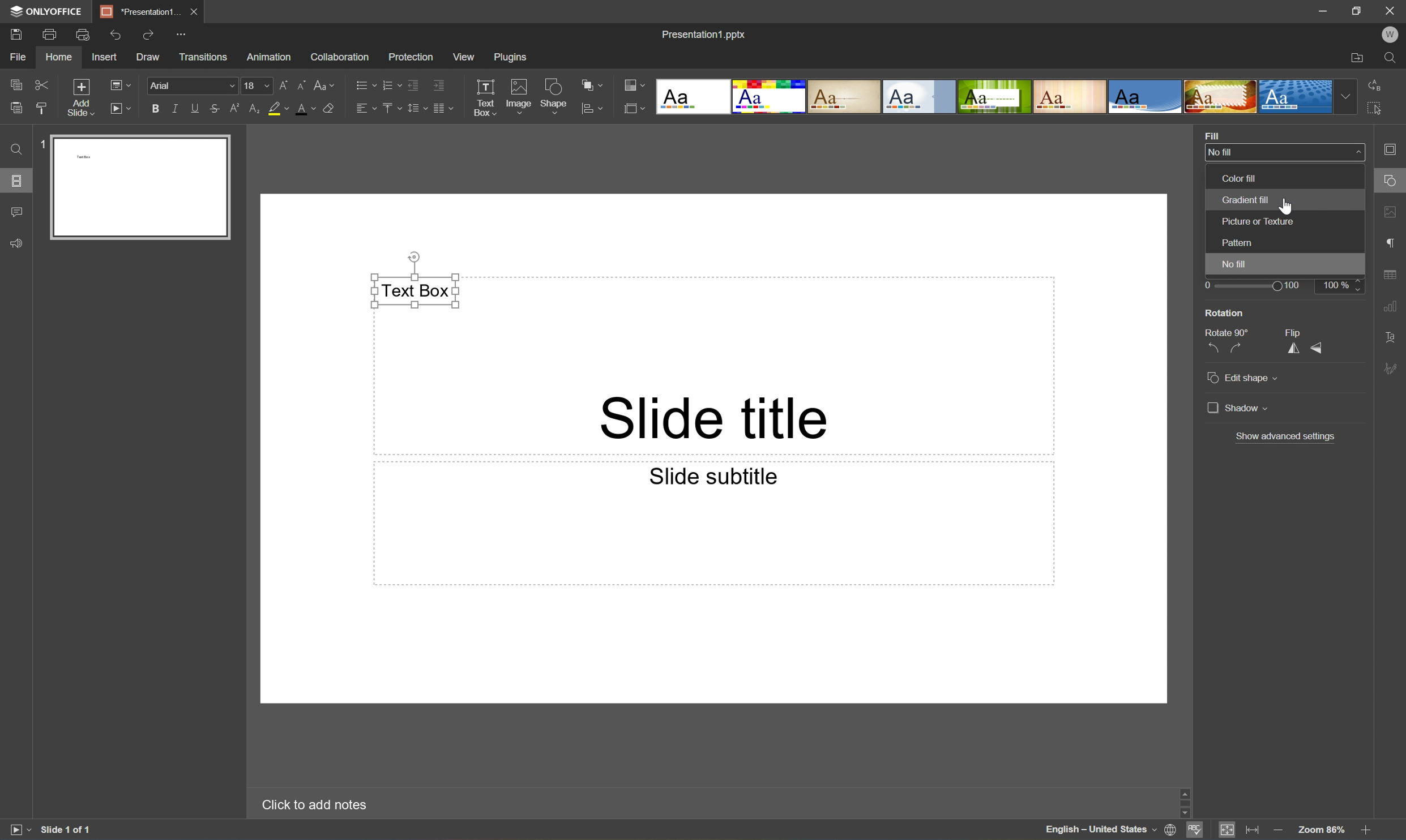 The width and height of the screenshot is (1406, 840). What do you see at coordinates (417, 291) in the screenshot?
I see `Text Box` at bounding box center [417, 291].